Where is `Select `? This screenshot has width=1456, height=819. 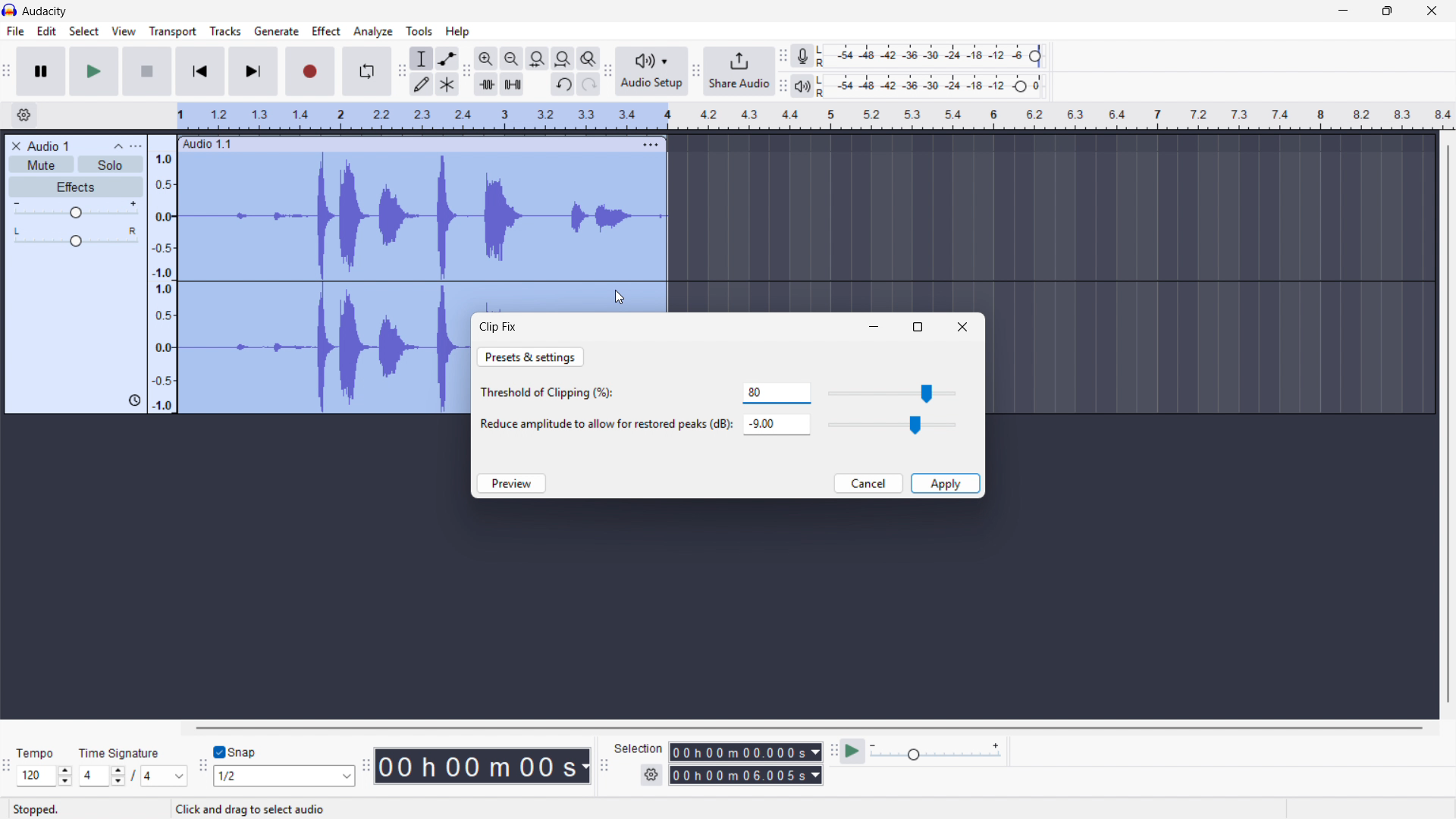 Select  is located at coordinates (83, 32).